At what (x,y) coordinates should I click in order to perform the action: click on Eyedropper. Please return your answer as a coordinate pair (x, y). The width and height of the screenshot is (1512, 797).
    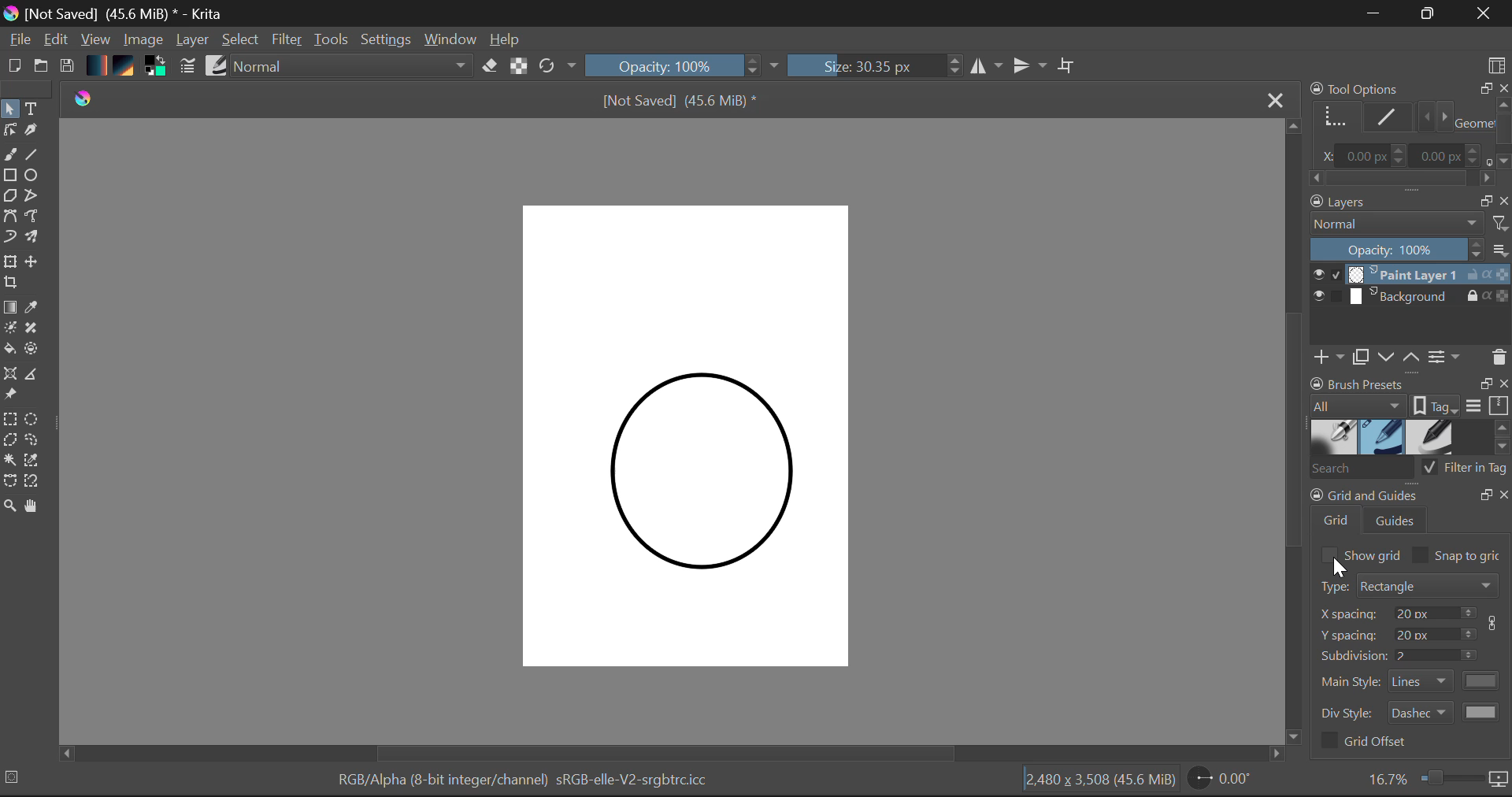
    Looking at the image, I should click on (35, 309).